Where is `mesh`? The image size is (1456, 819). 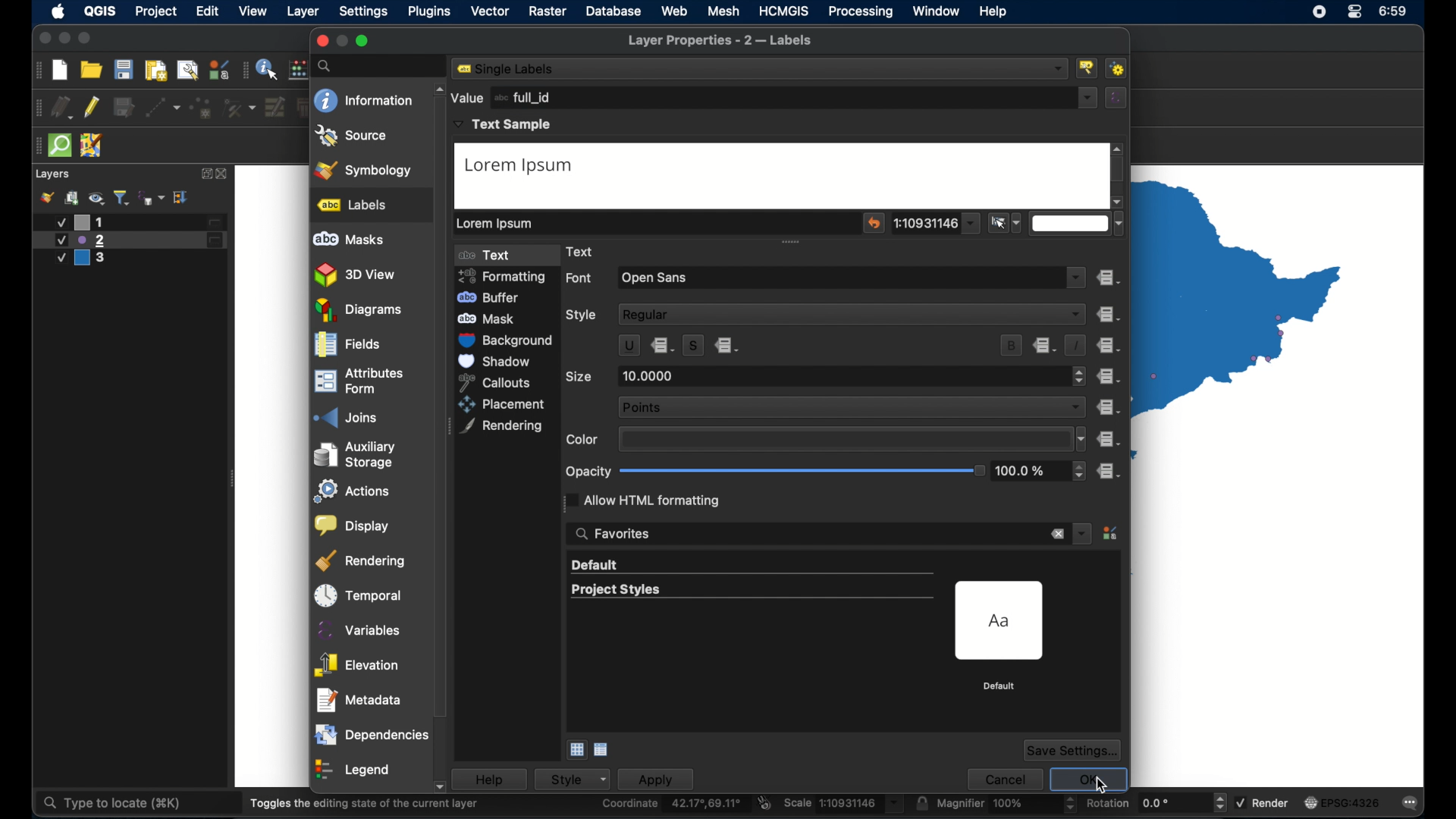
mesh is located at coordinates (723, 11).